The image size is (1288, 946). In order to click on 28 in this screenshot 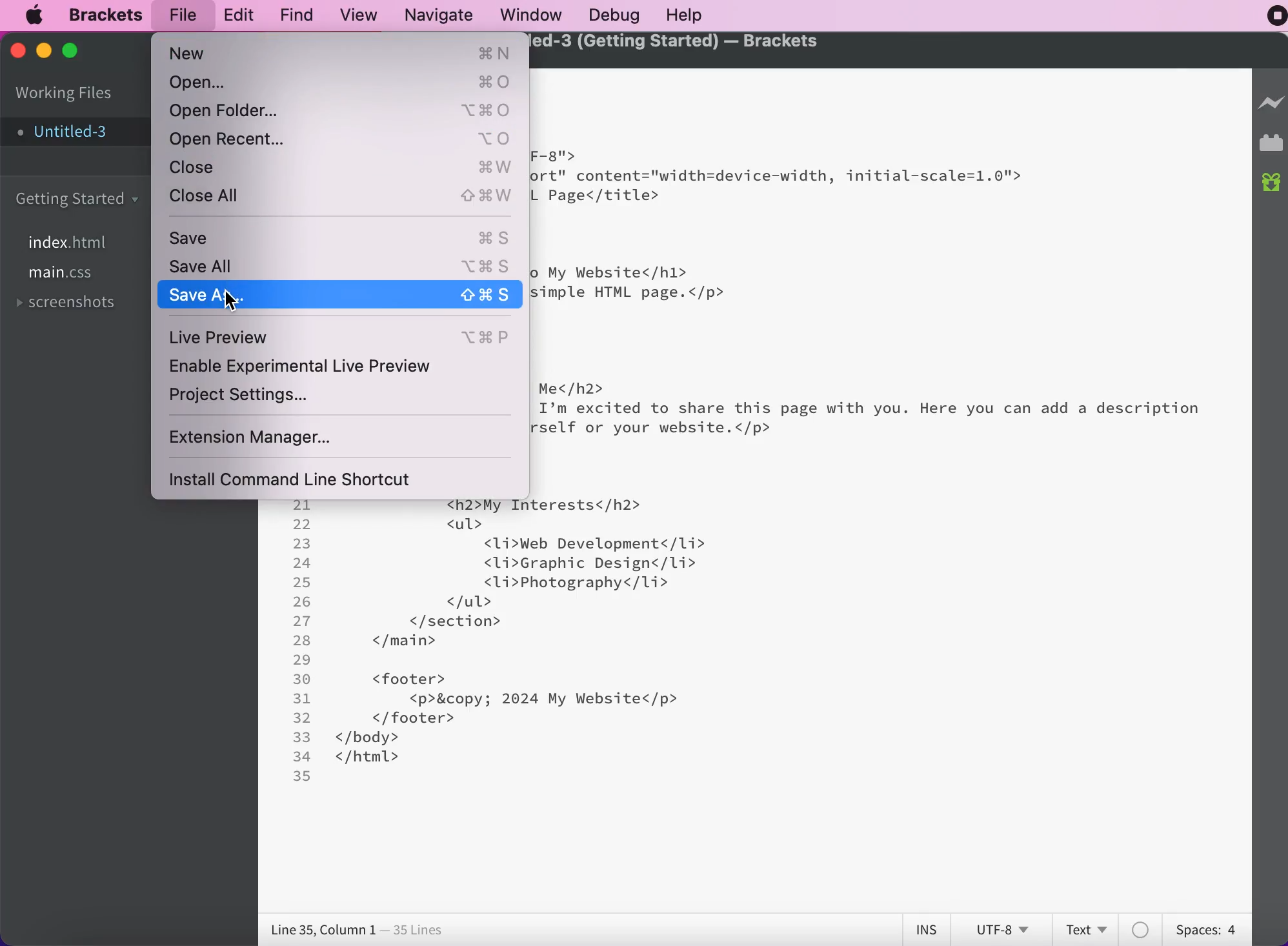, I will do `click(302, 640)`.